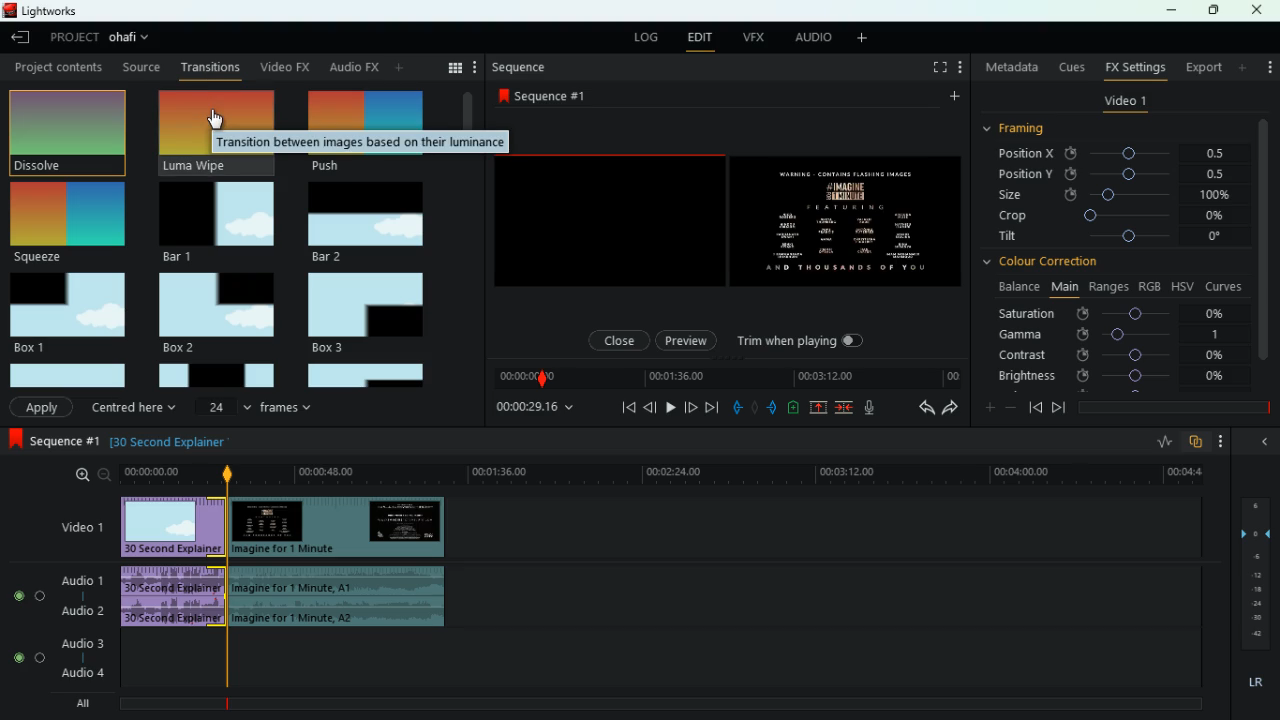 The width and height of the screenshot is (1280, 720). I want to click on audio, so click(176, 599).